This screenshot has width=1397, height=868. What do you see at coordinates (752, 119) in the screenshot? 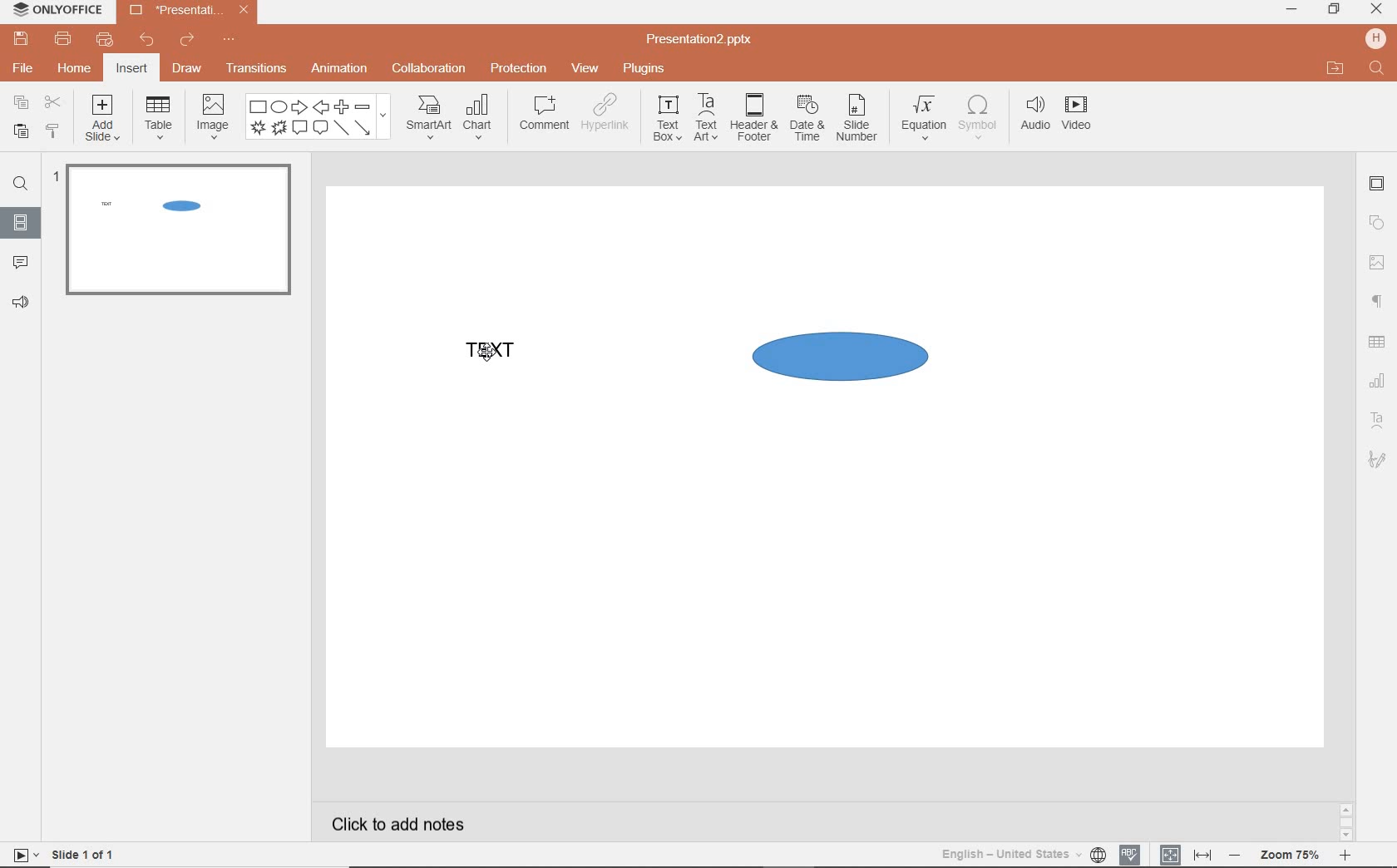
I see `header & footer` at bounding box center [752, 119].